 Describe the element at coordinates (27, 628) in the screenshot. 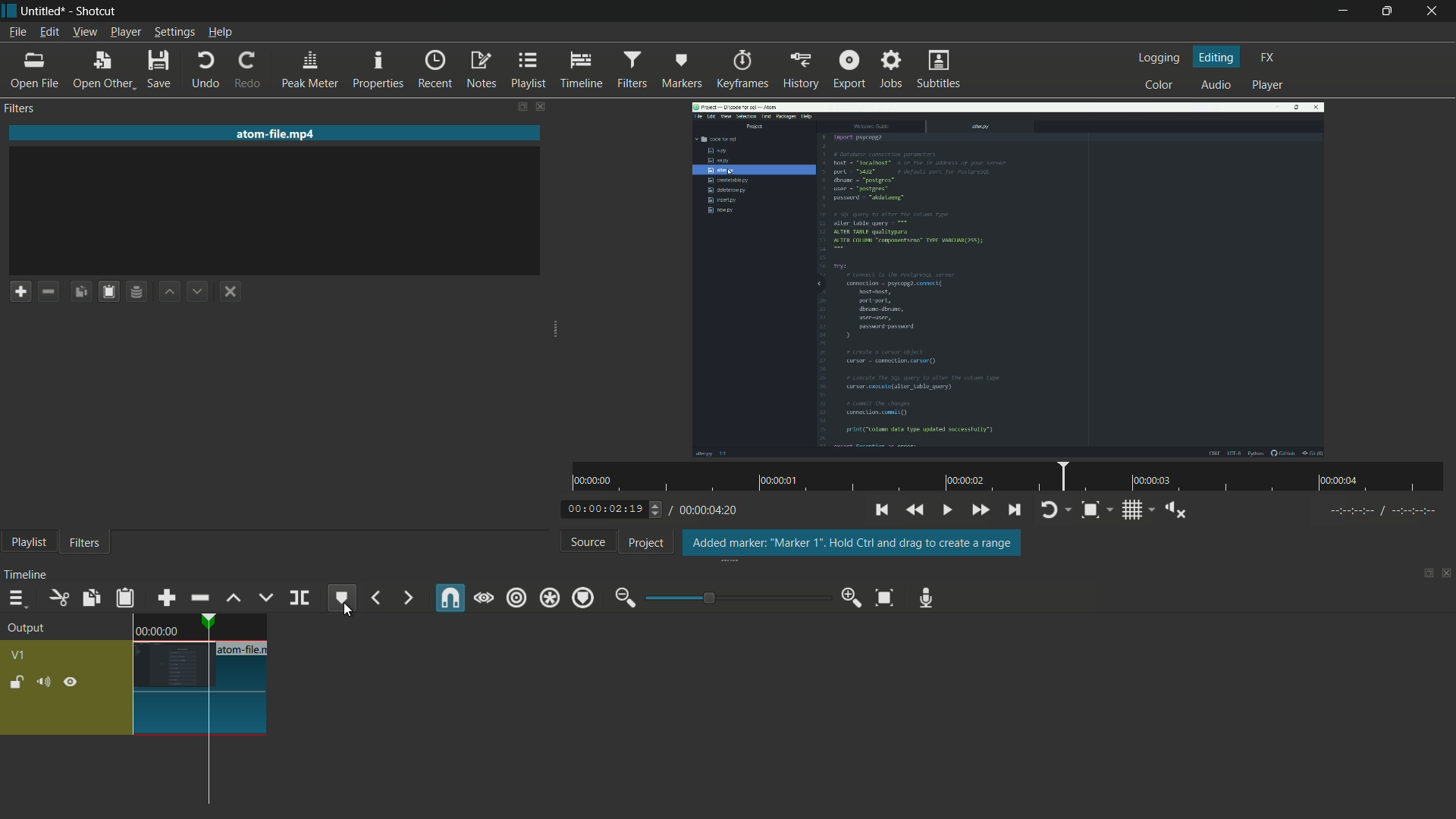

I see `output` at that location.